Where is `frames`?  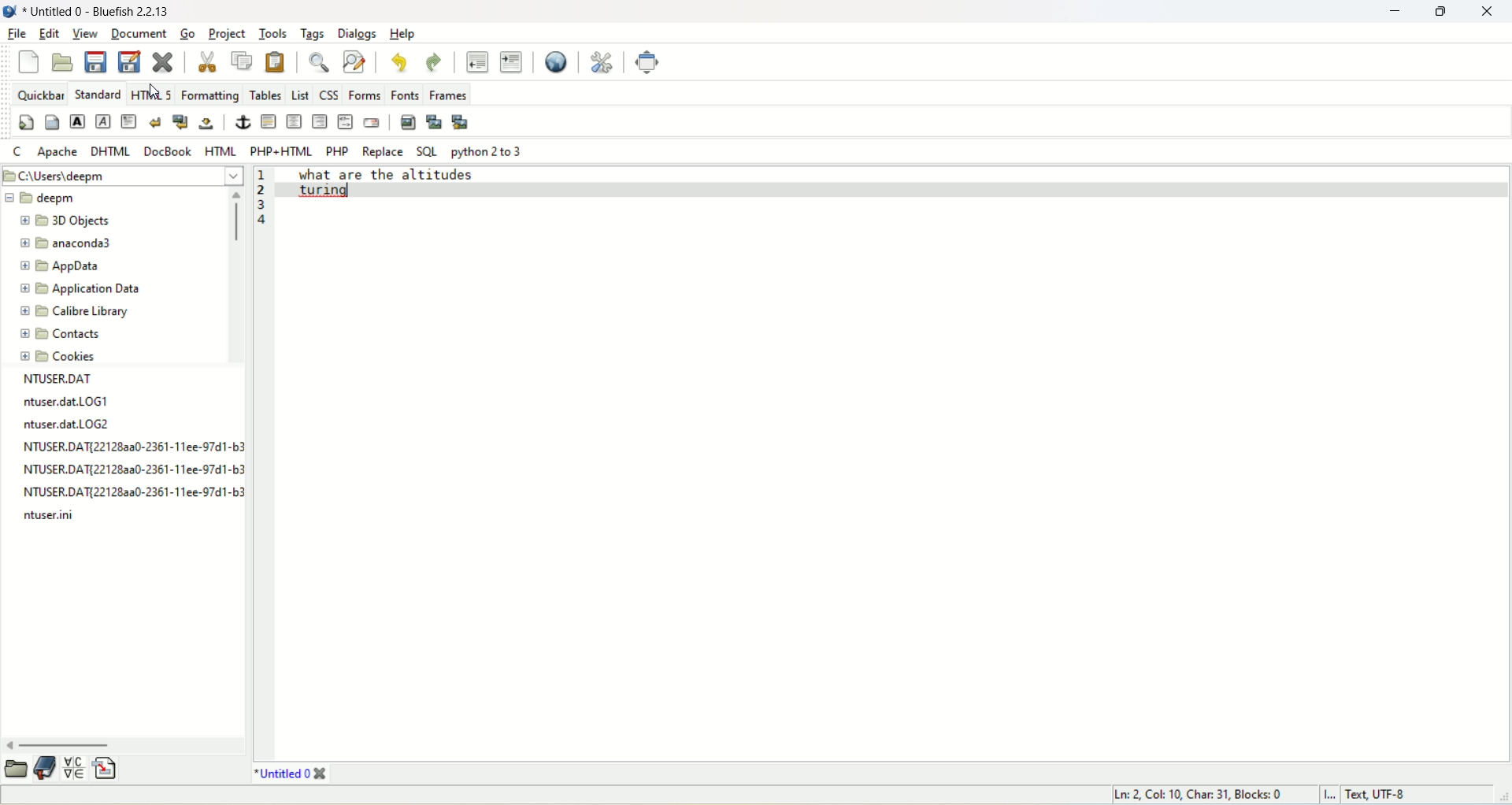 frames is located at coordinates (448, 94).